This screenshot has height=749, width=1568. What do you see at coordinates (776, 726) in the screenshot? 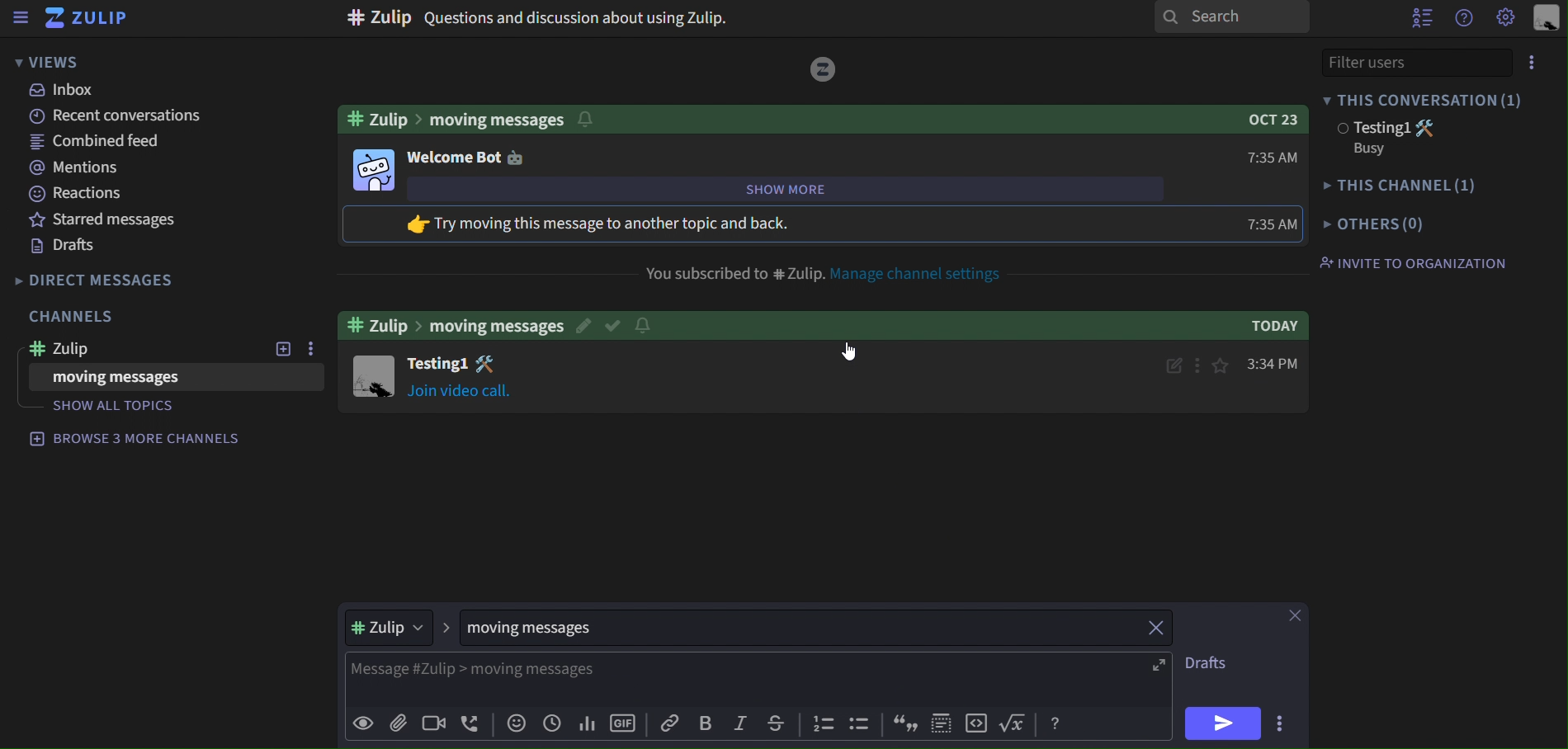
I see `strikethrough` at bounding box center [776, 726].